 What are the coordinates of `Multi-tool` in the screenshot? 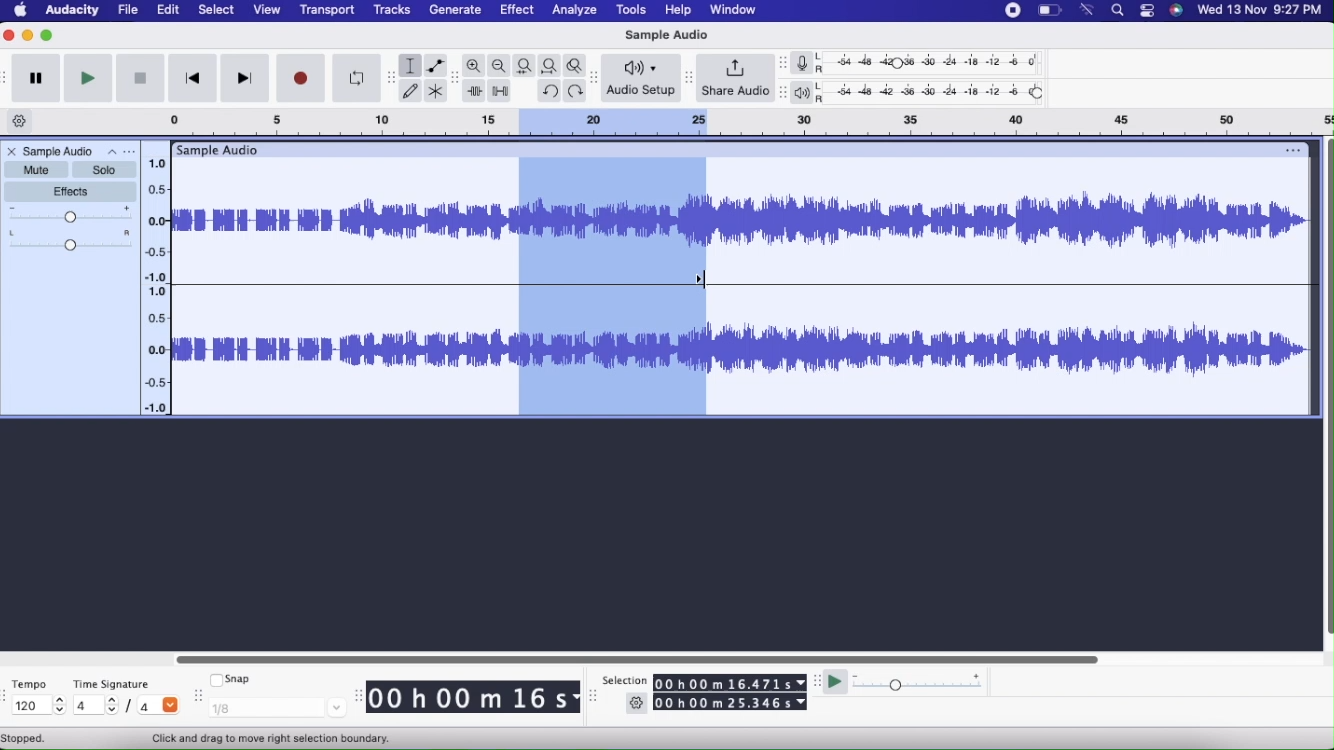 It's located at (437, 92).